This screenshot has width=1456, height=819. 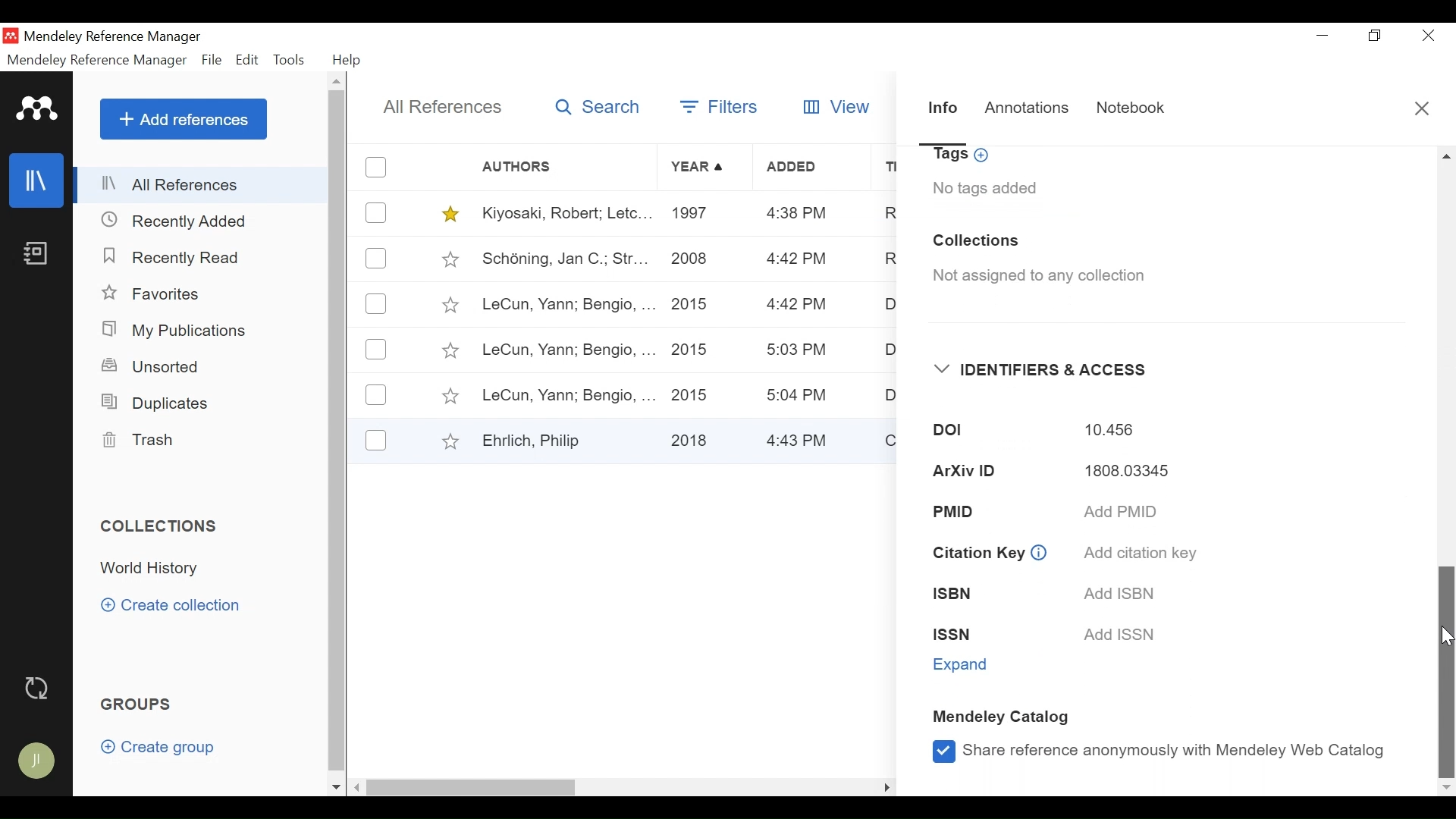 What do you see at coordinates (11, 36) in the screenshot?
I see `Mendeley Desktop Icon` at bounding box center [11, 36].